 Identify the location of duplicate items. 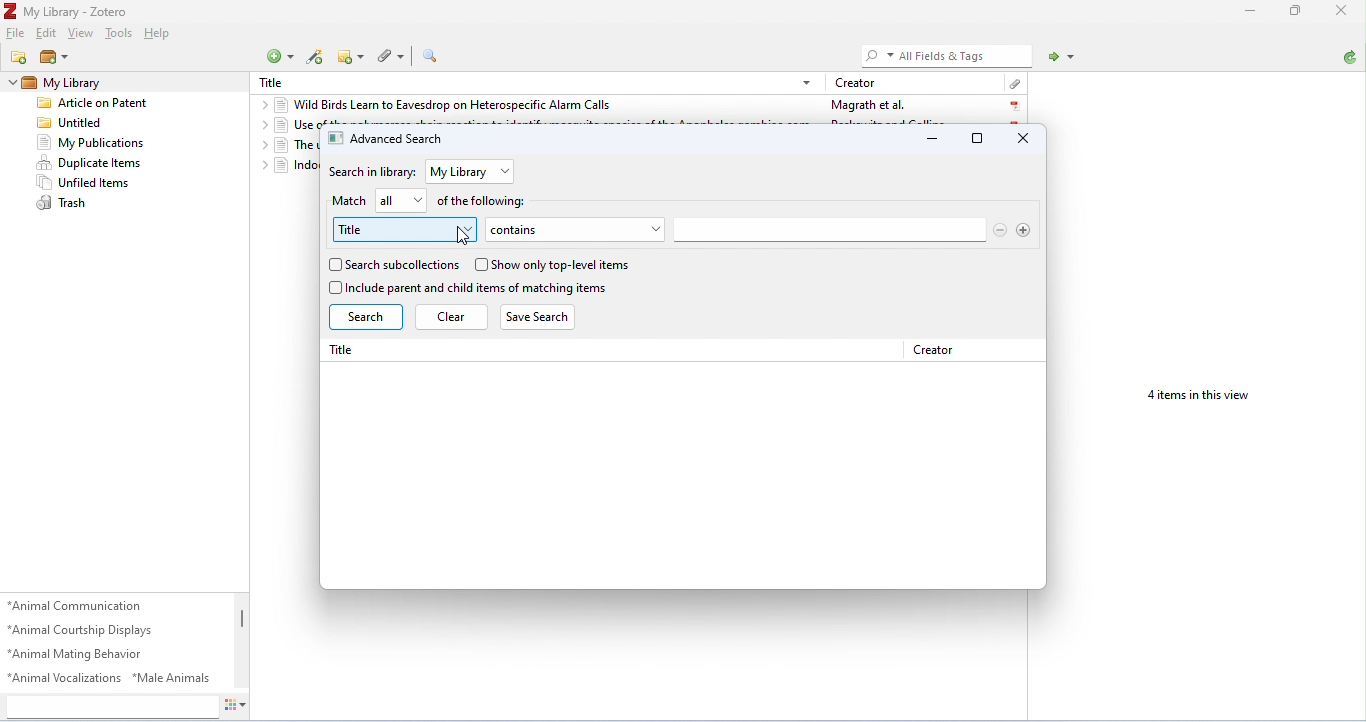
(90, 162).